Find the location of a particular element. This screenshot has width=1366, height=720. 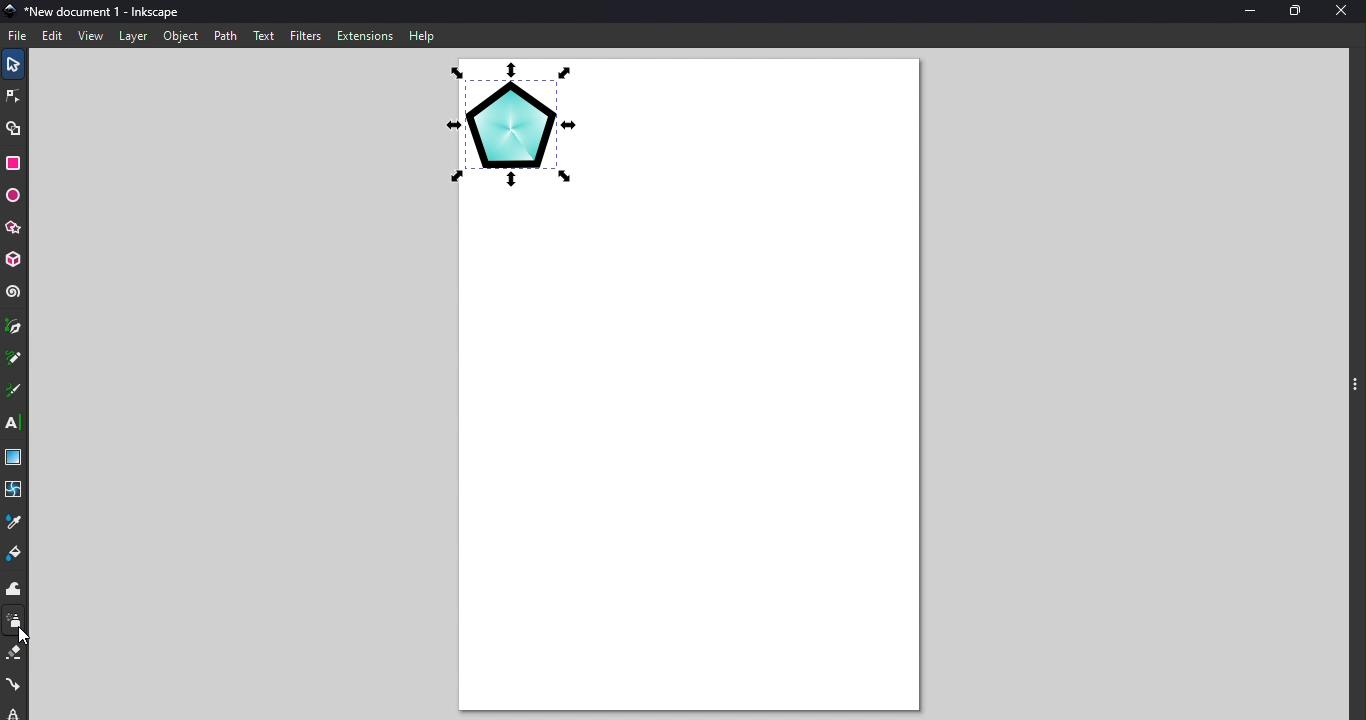

Rectangle tool is located at coordinates (15, 165).